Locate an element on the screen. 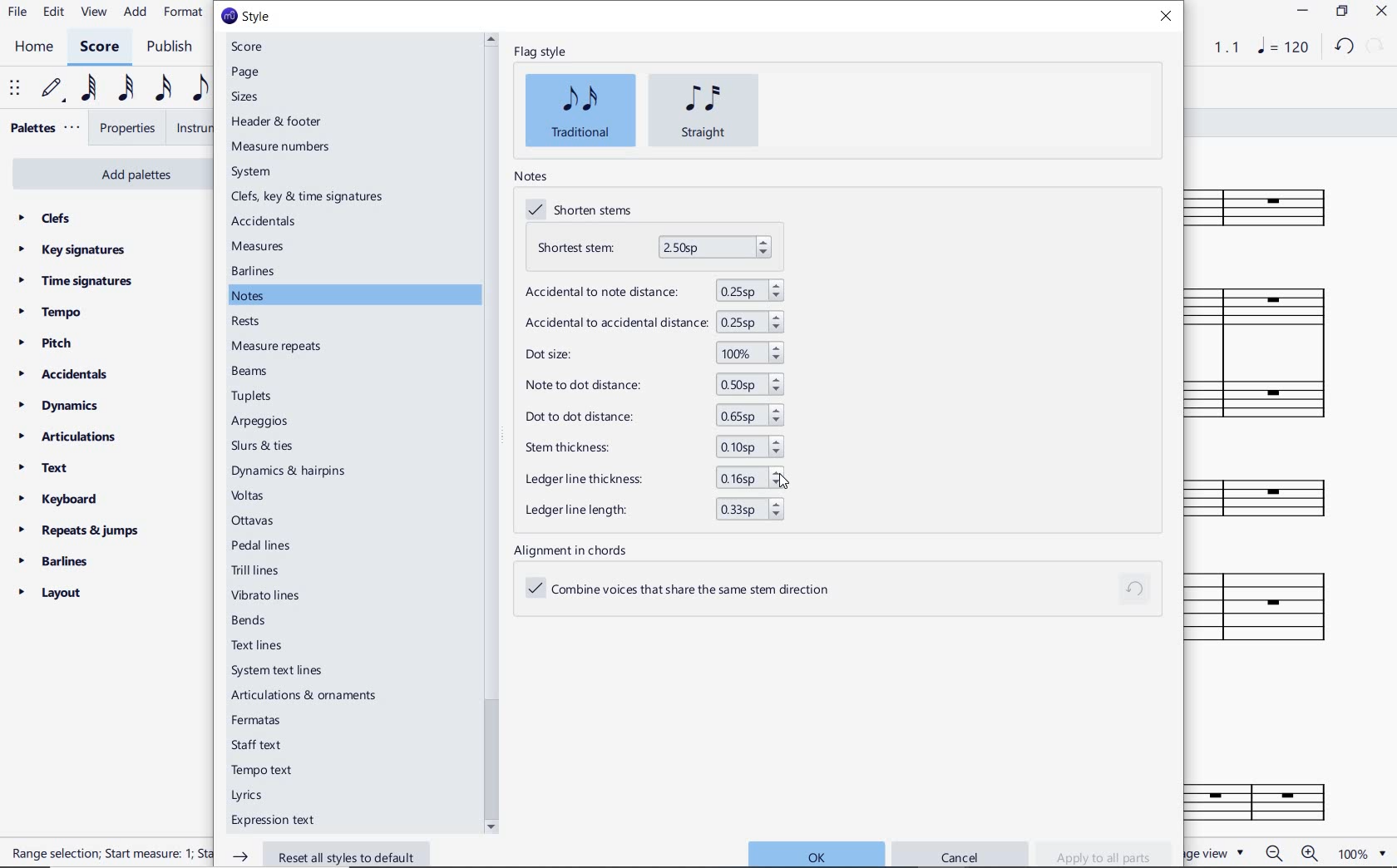  palettes is located at coordinates (43, 131).